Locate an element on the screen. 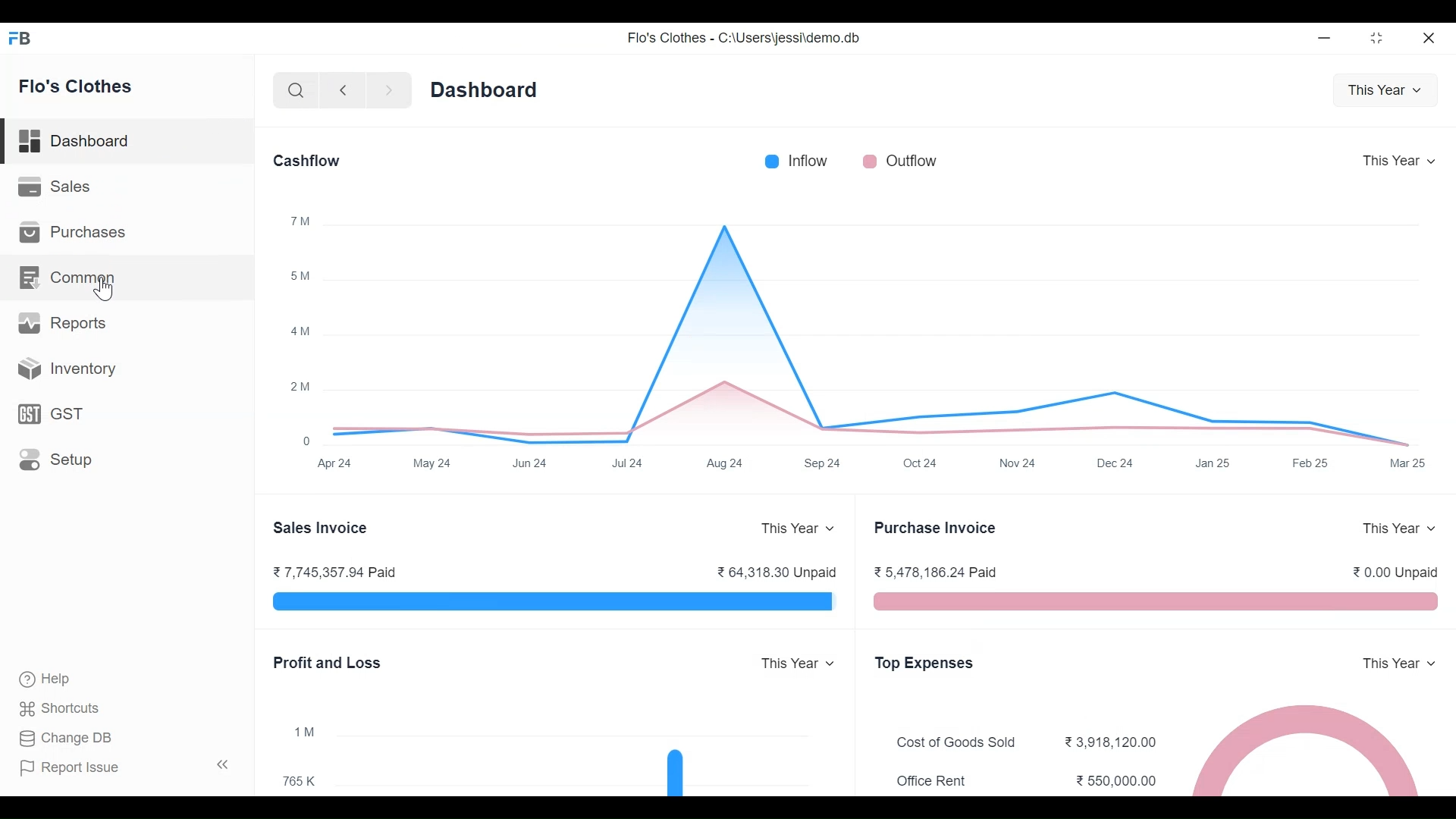  Close is located at coordinates (1429, 39).